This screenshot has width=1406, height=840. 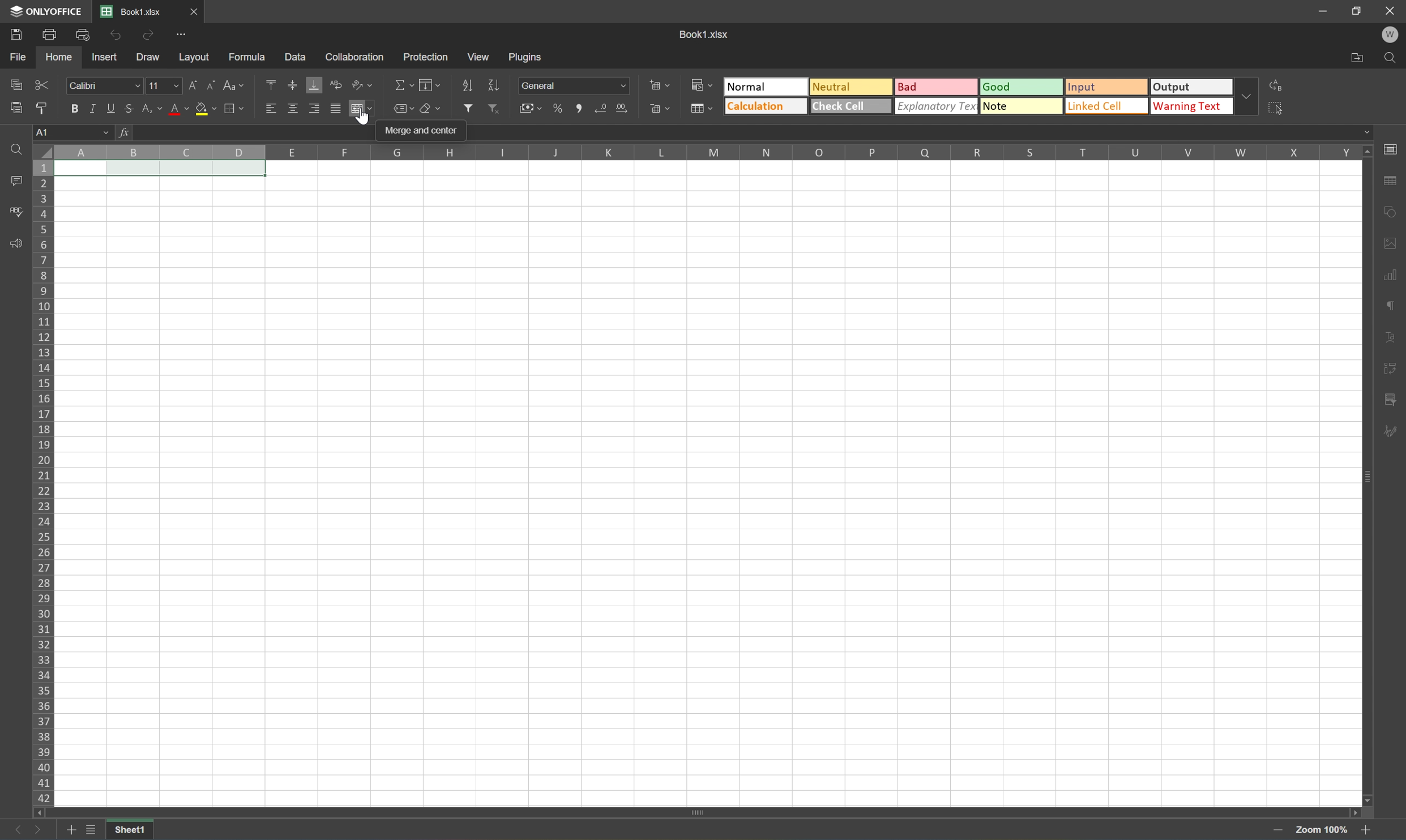 I want to click on Row numbers, so click(x=42, y=485).